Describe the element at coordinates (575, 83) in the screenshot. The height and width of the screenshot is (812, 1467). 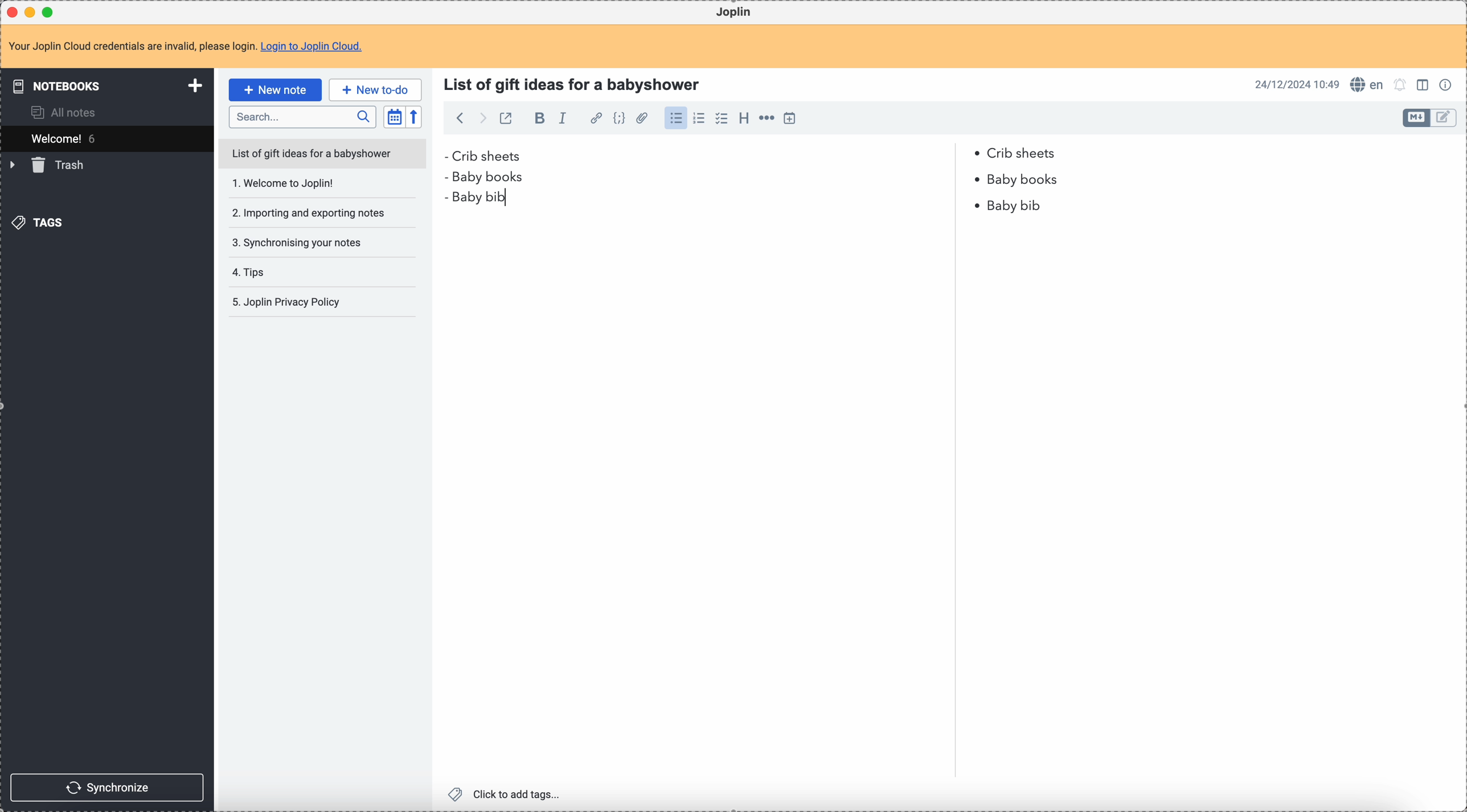
I see `title` at that location.